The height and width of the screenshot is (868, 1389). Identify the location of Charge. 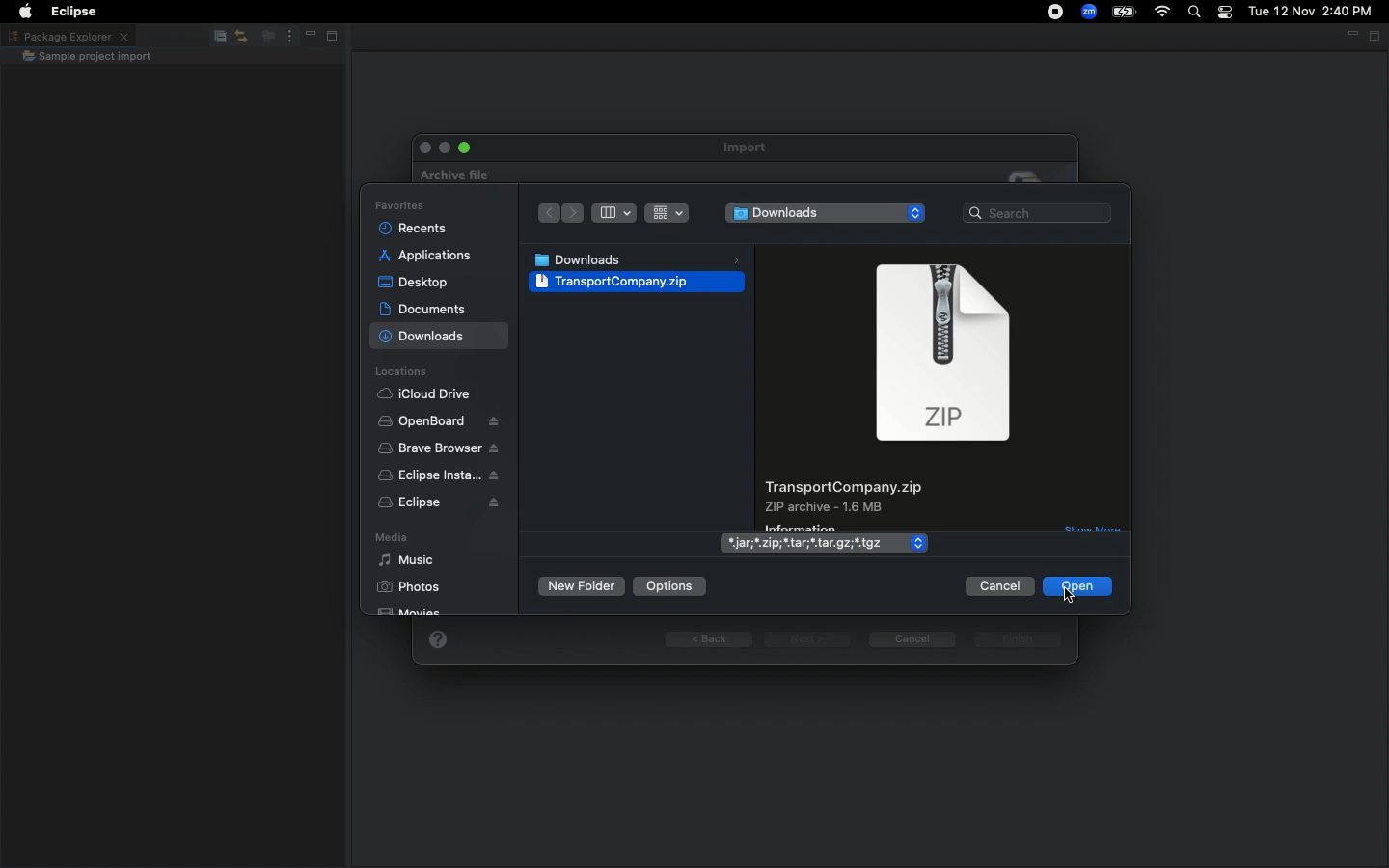
(1126, 12).